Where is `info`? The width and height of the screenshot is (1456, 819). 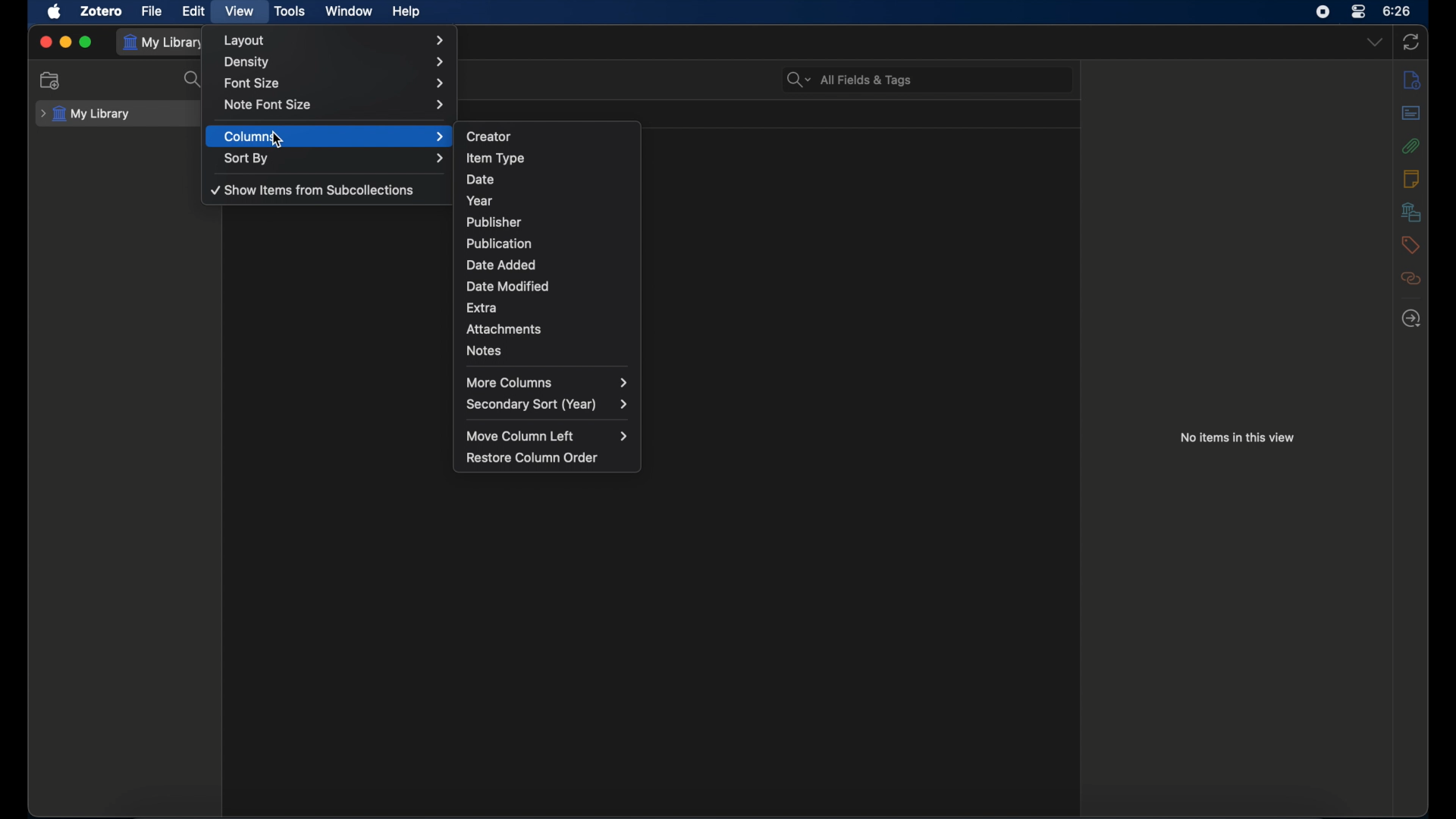 info is located at coordinates (1411, 79).